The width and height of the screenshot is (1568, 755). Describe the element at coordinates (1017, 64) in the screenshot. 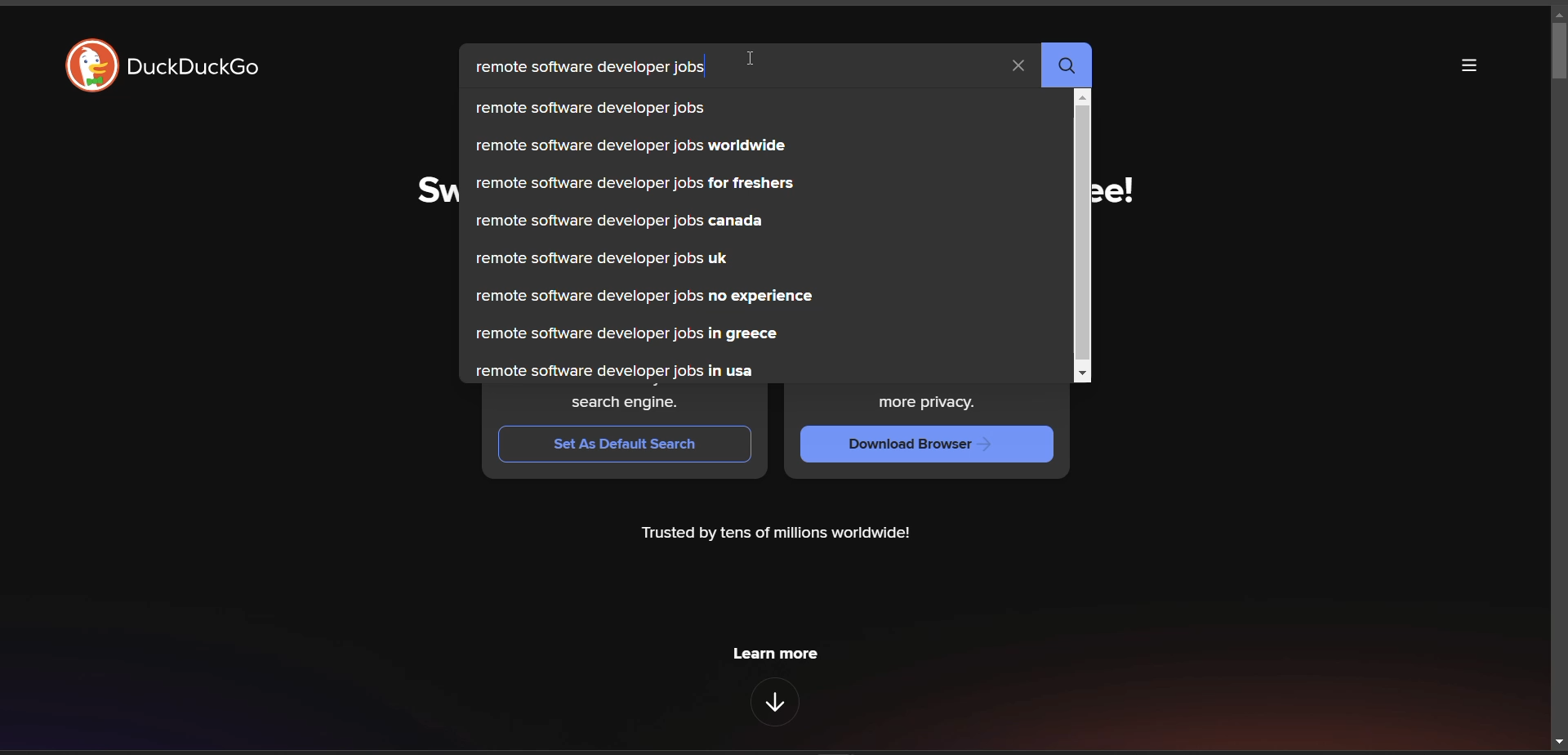

I see `clear search term` at that location.